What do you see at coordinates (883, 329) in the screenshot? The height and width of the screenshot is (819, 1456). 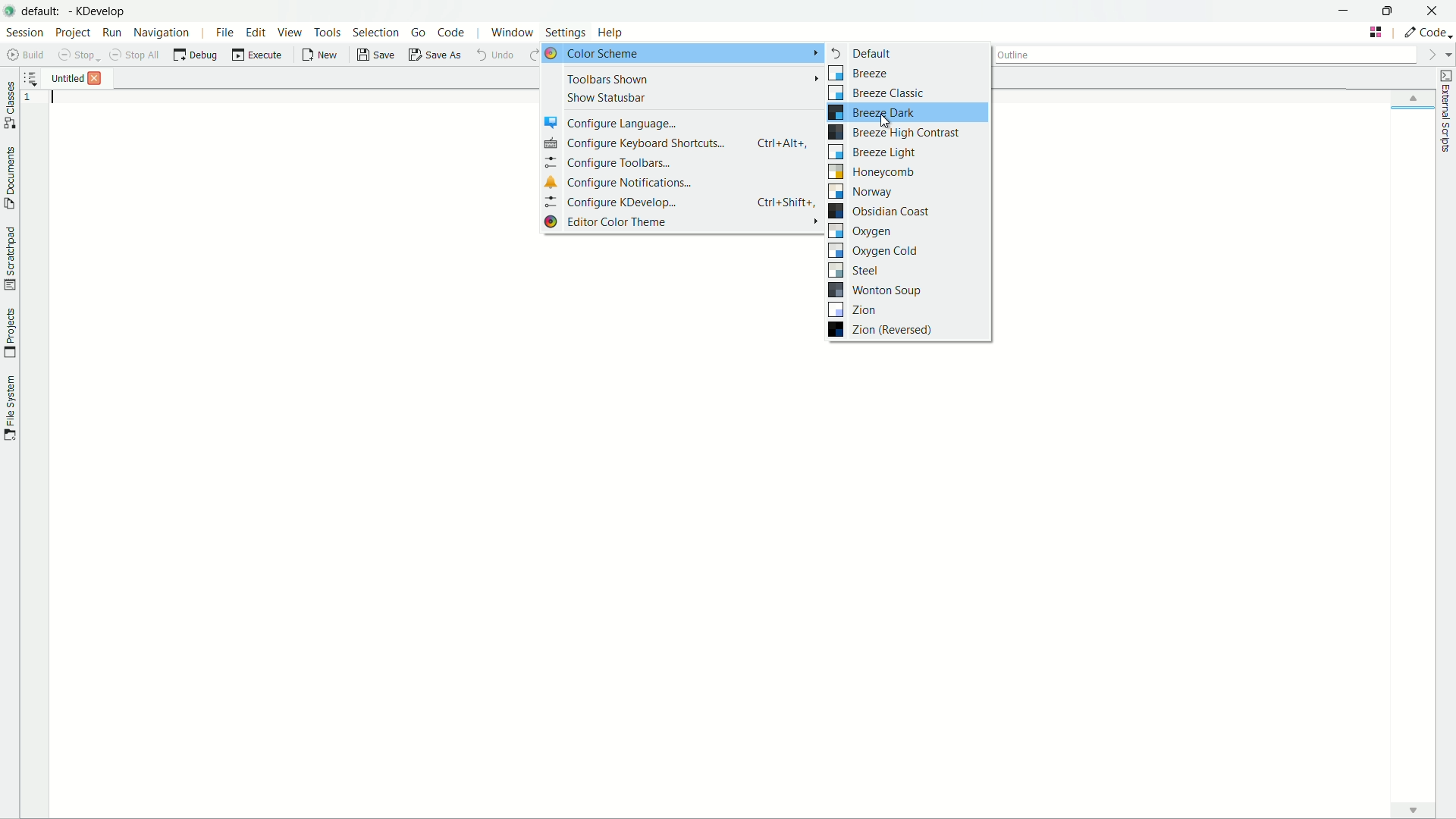 I see `zion reversed` at bounding box center [883, 329].